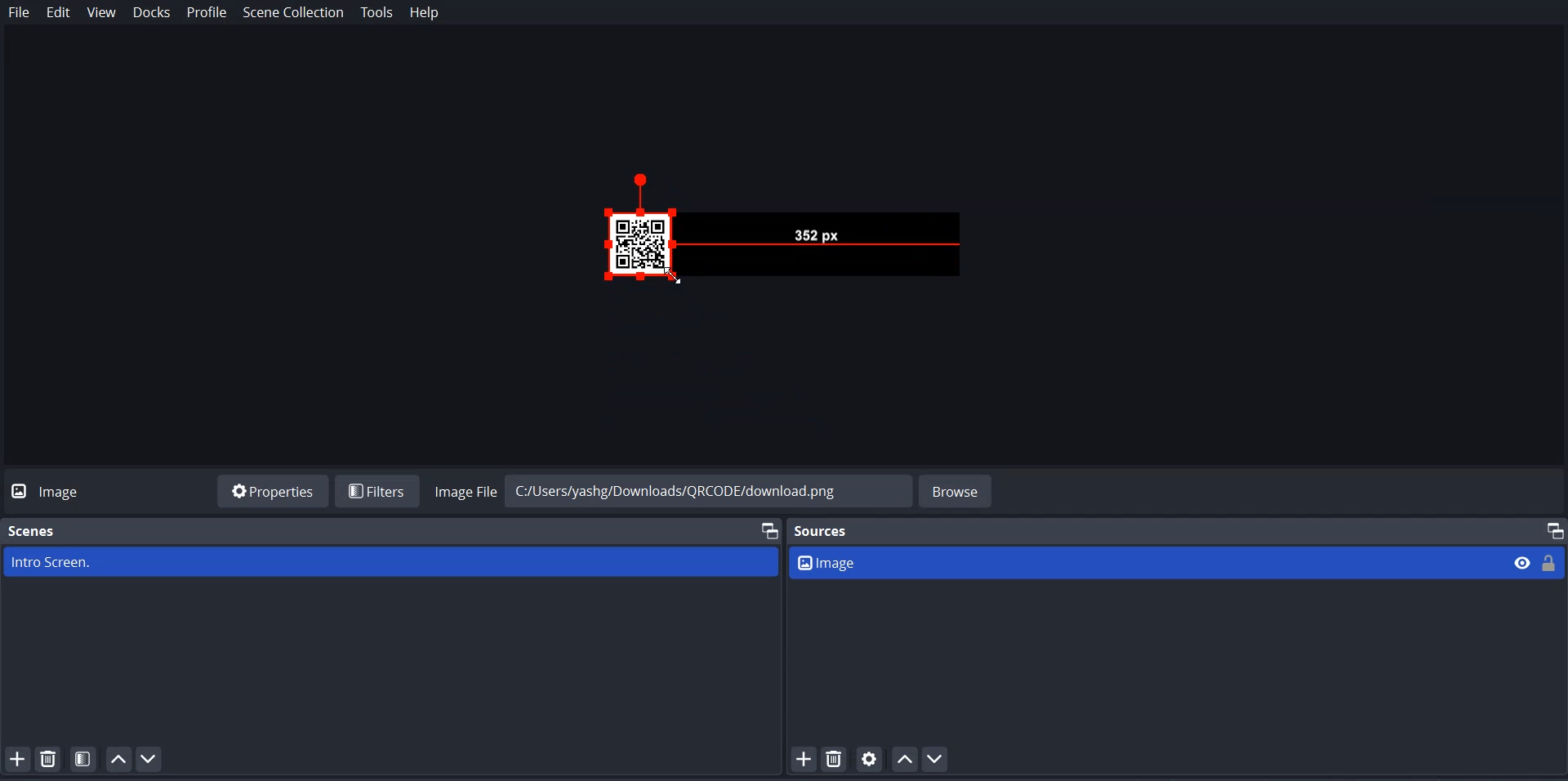 The image size is (1568, 781). I want to click on Open Source Properties, so click(871, 759).